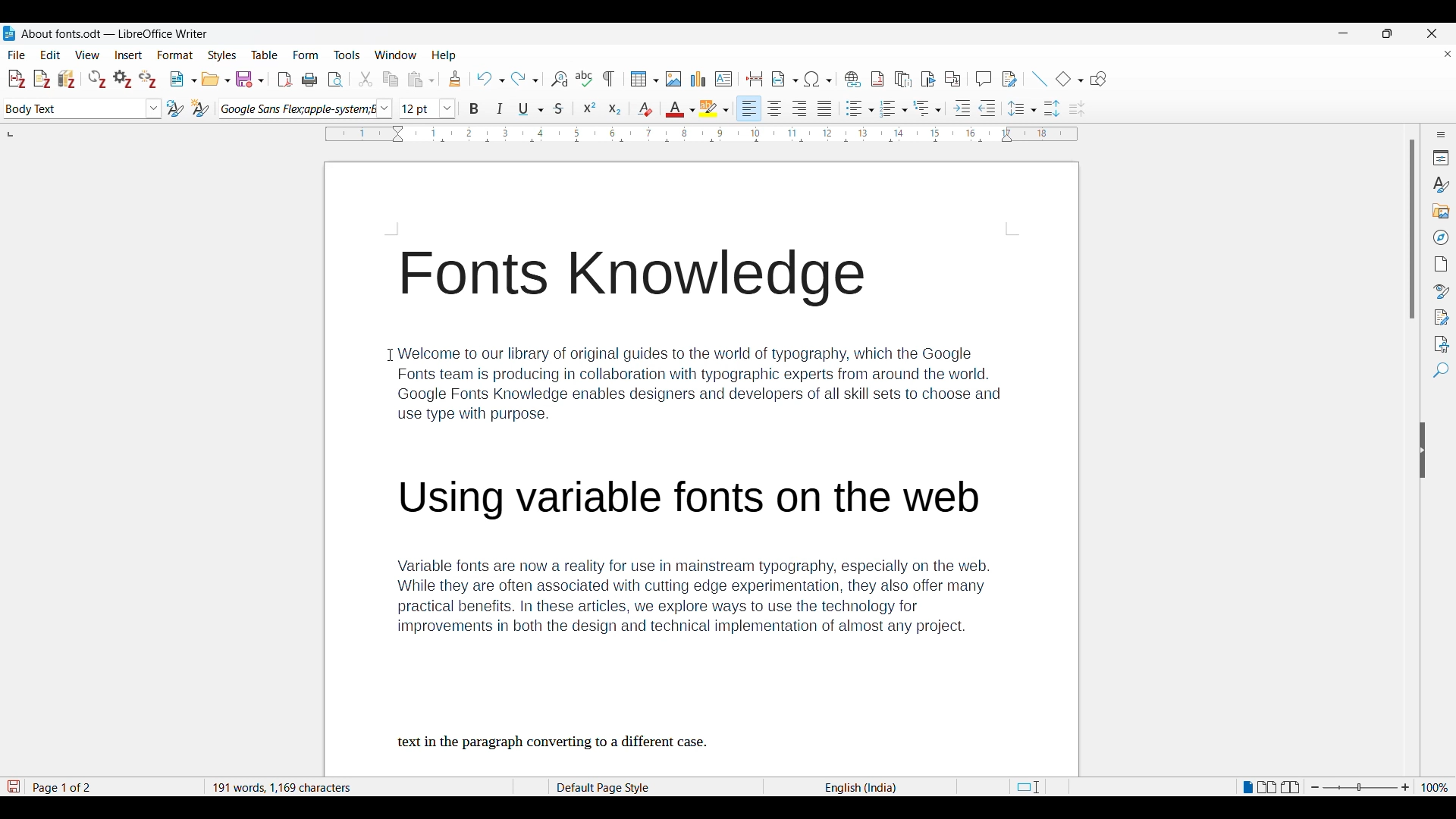  What do you see at coordinates (674, 79) in the screenshot?
I see `Insert image` at bounding box center [674, 79].